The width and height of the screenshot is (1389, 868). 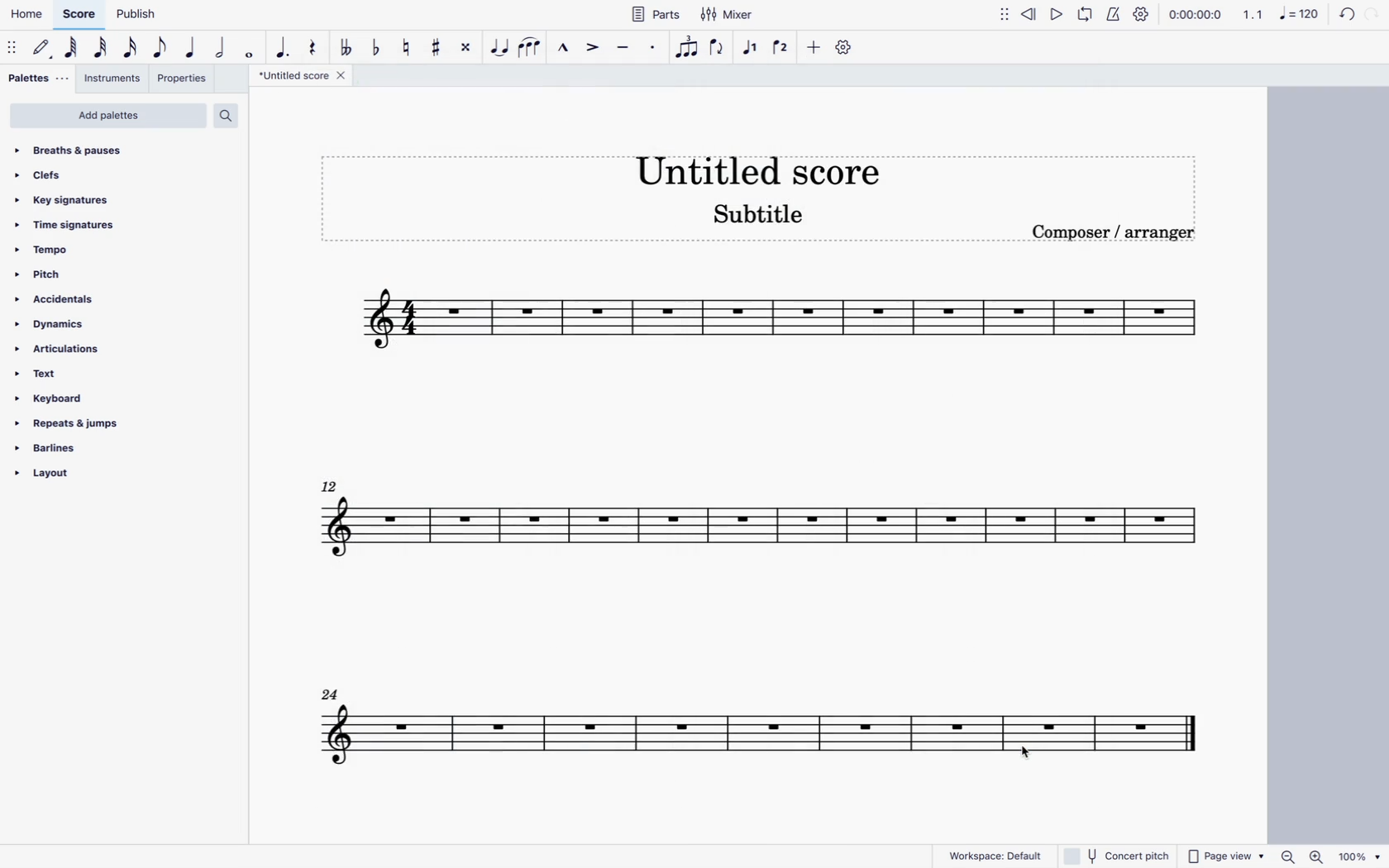 What do you see at coordinates (1358, 855) in the screenshot?
I see `100%` at bounding box center [1358, 855].